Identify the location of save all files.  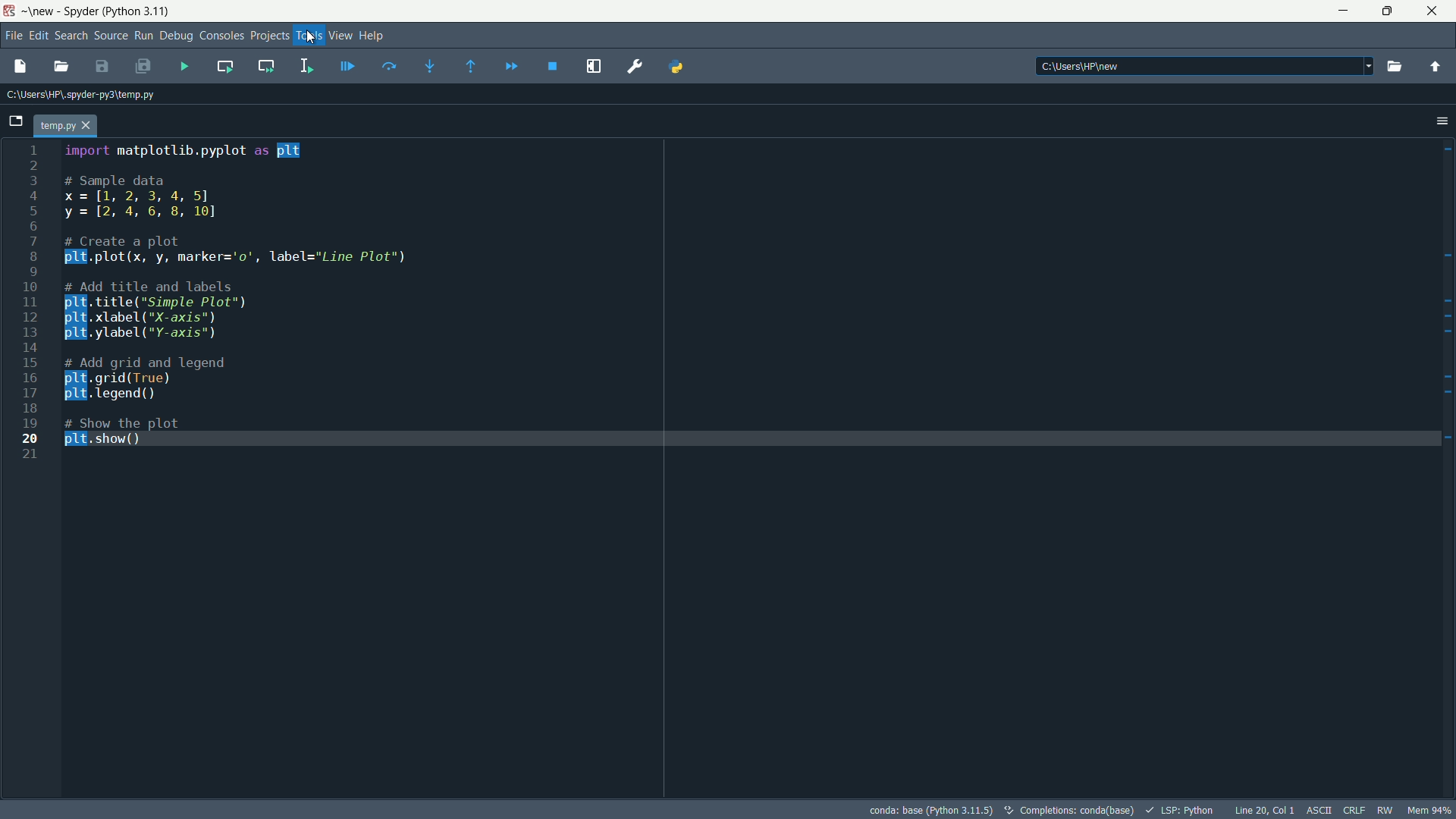
(142, 67).